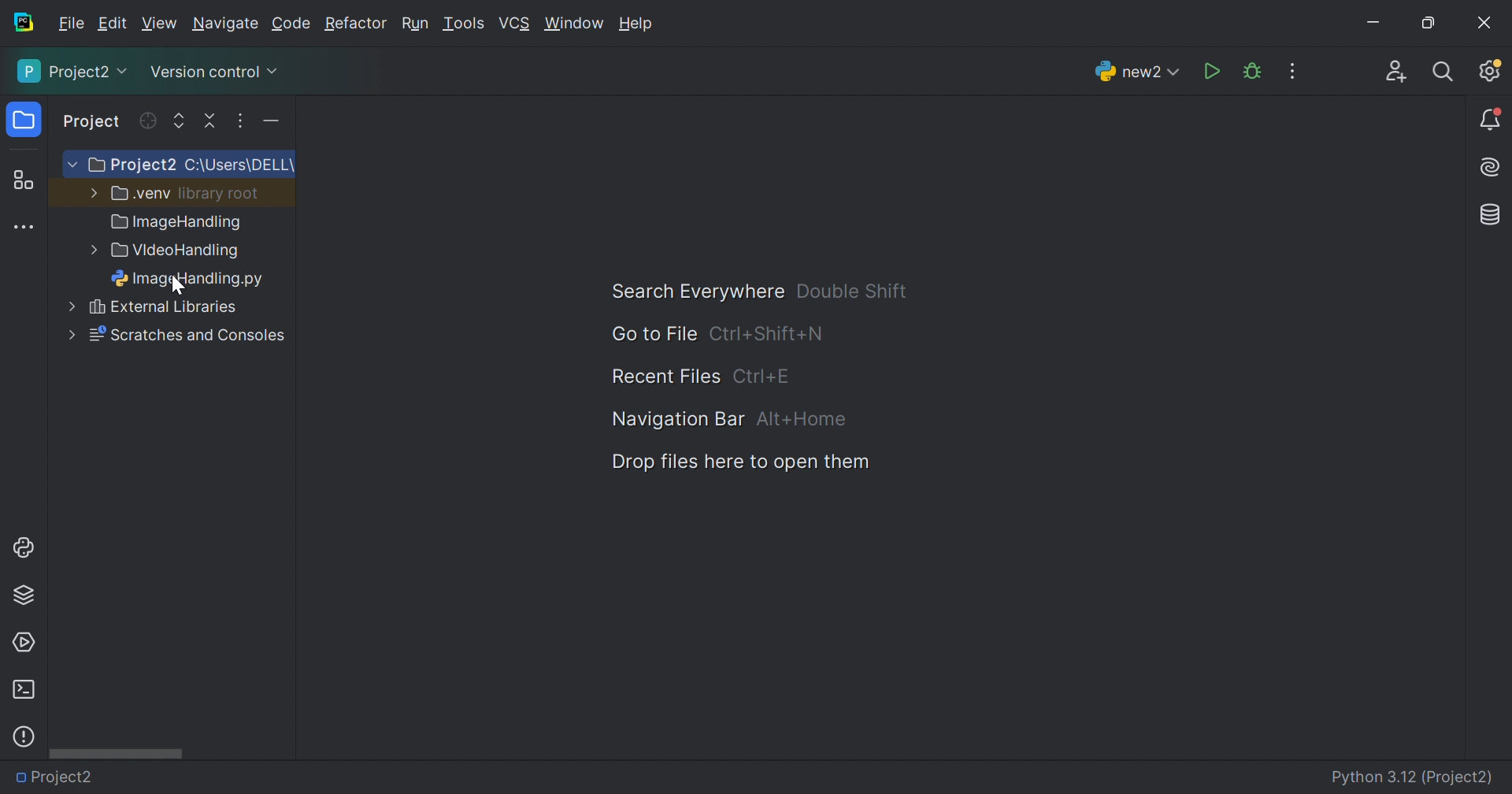 The width and height of the screenshot is (1512, 794). What do you see at coordinates (91, 191) in the screenshot?
I see `More` at bounding box center [91, 191].